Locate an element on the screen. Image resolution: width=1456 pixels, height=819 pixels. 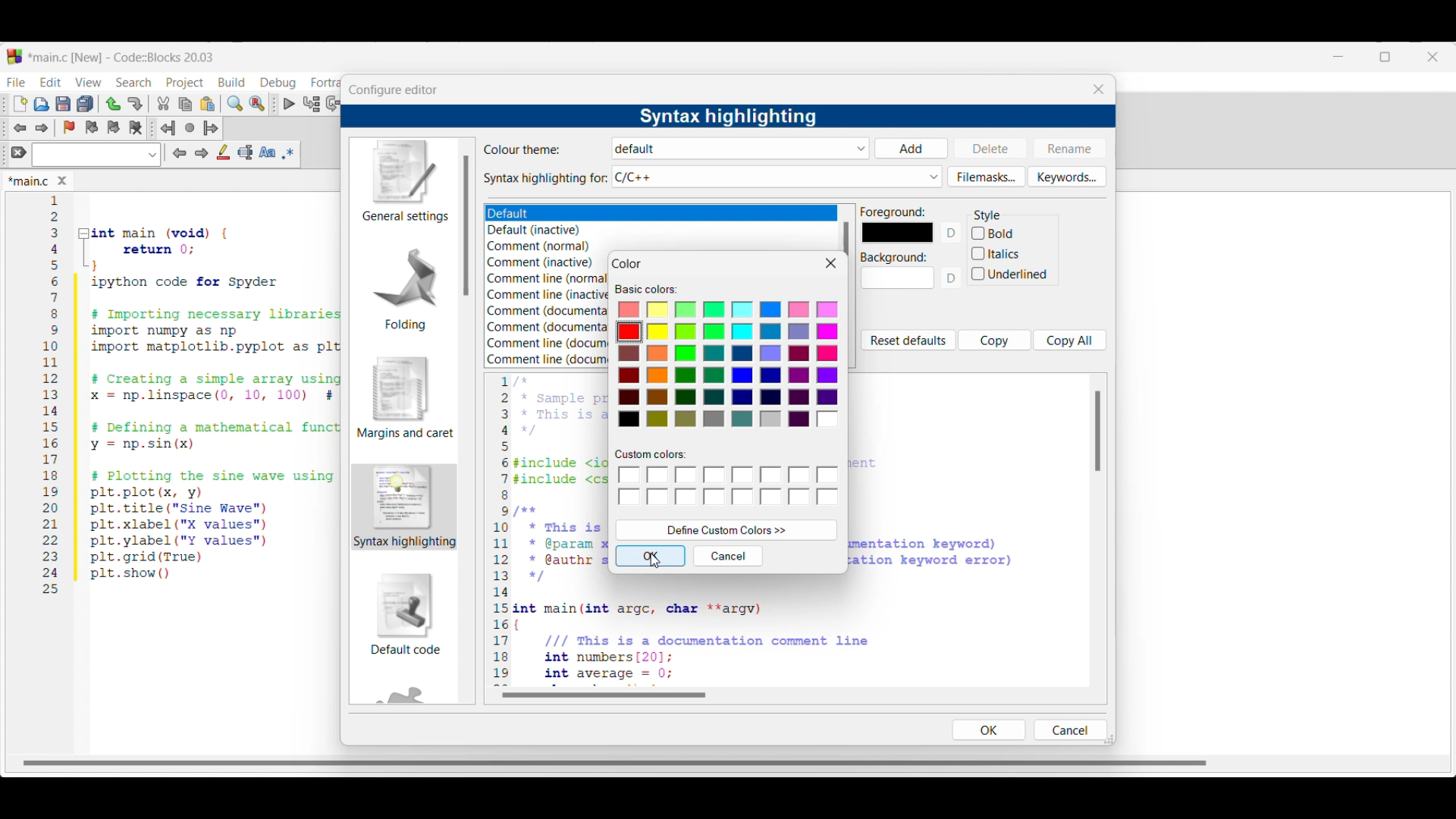
Bold is located at coordinates (1011, 232).